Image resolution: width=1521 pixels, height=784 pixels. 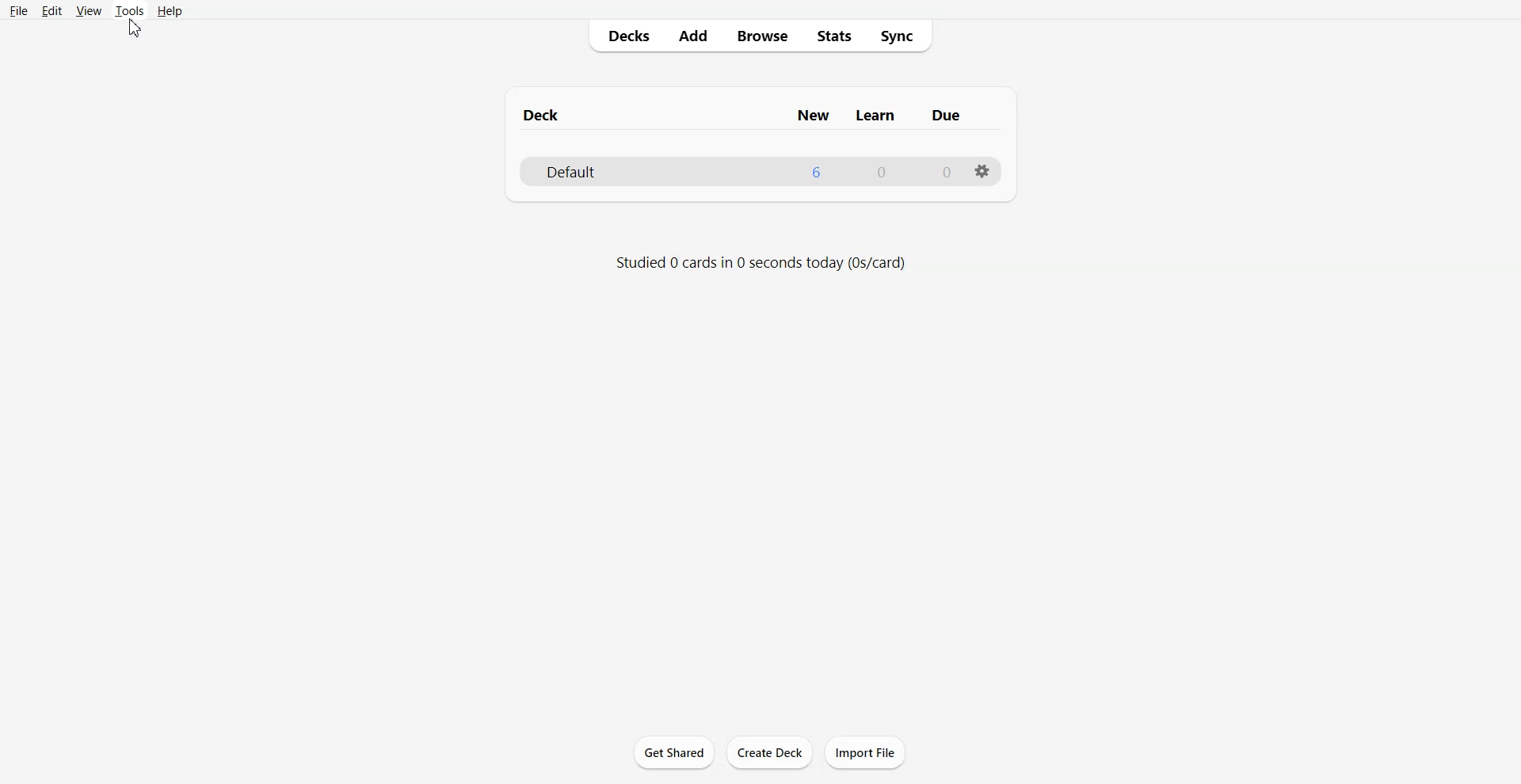 What do you see at coordinates (865, 752) in the screenshot?
I see `Import File` at bounding box center [865, 752].